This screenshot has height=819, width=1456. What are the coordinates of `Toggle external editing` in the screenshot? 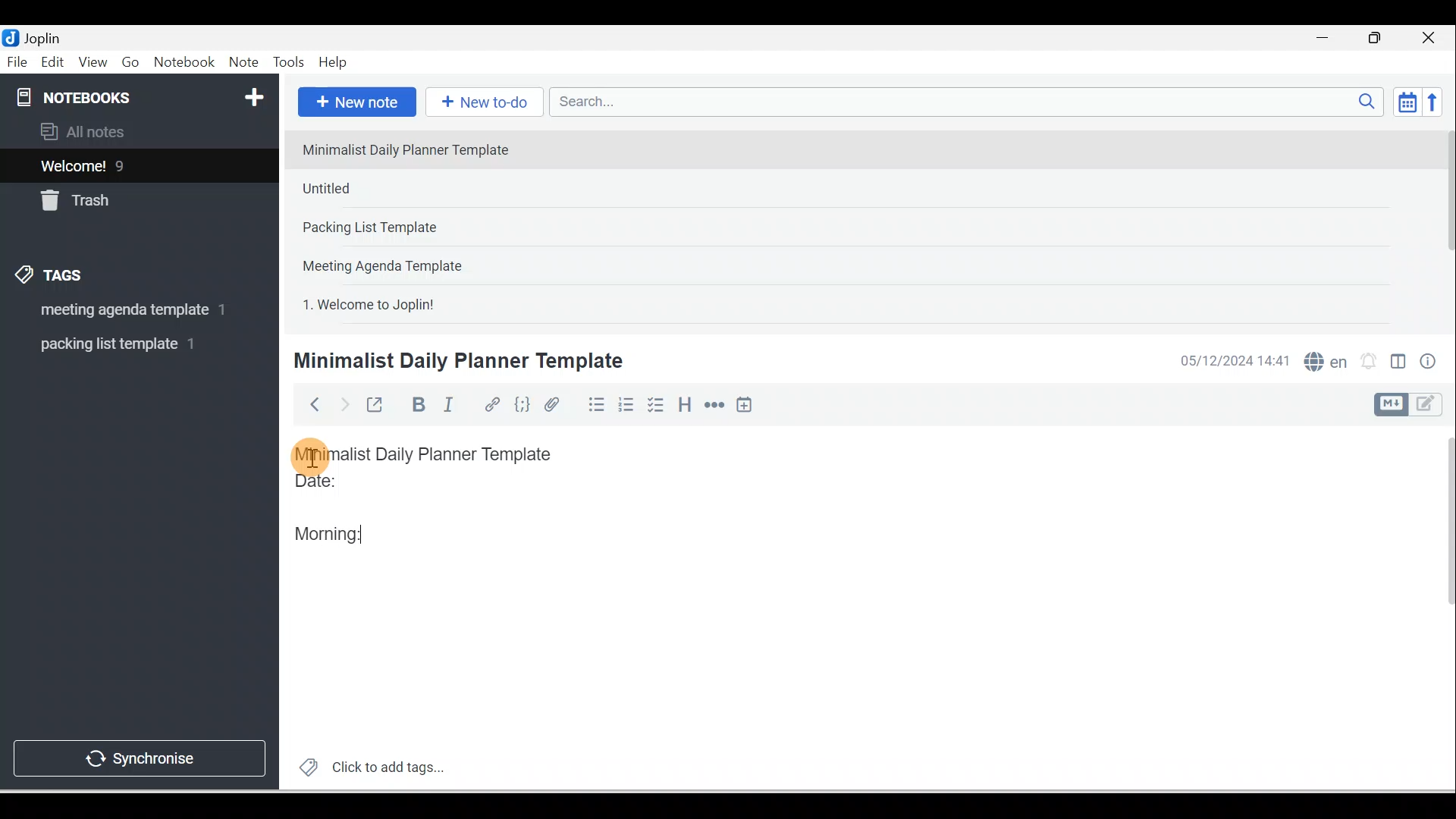 It's located at (377, 408).